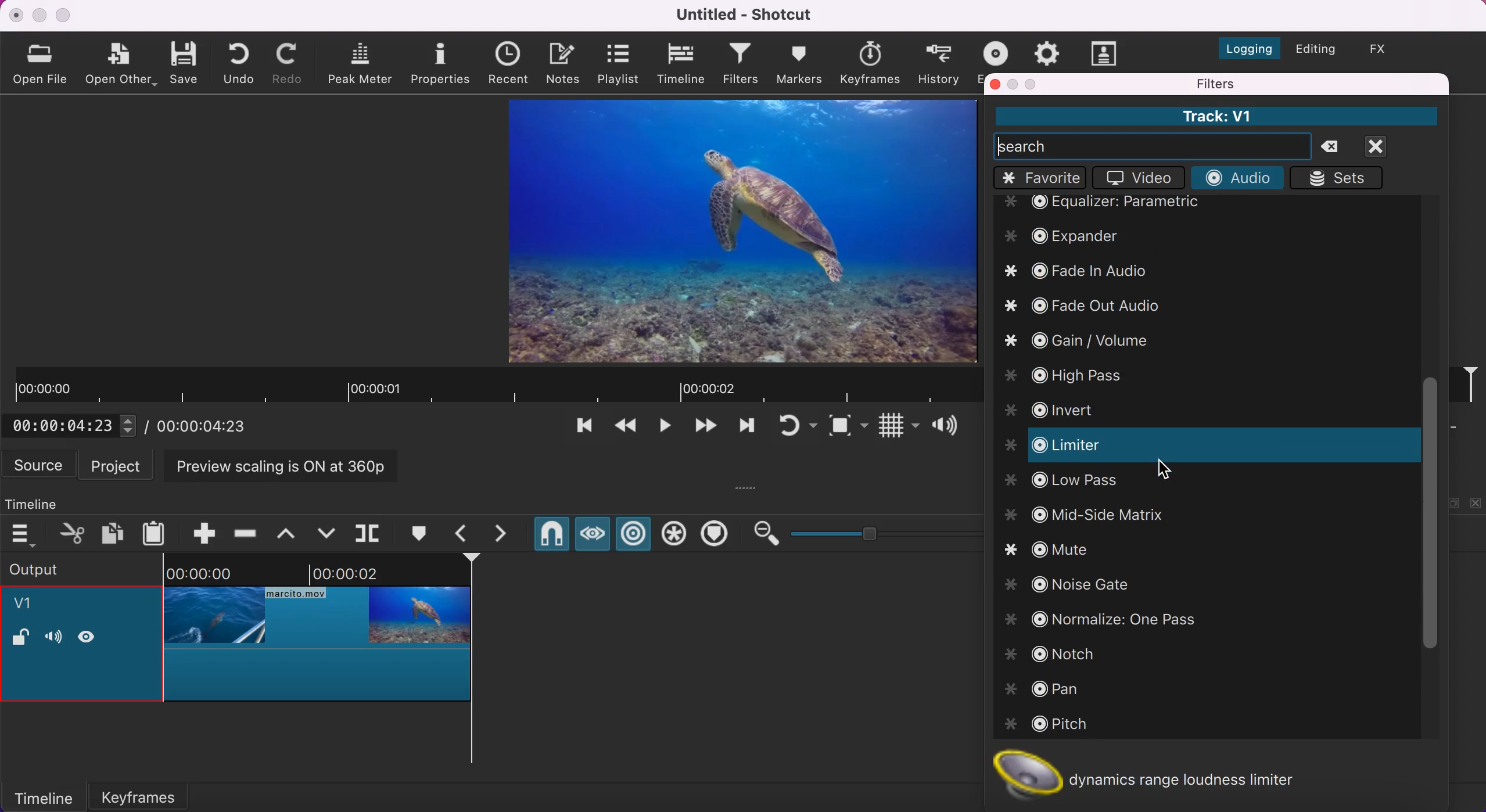 This screenshot has width=1486, height=812. What do you see at coordinates (75, 425) in the screenshot?
I see `current position` at bounding box center [75, 425].